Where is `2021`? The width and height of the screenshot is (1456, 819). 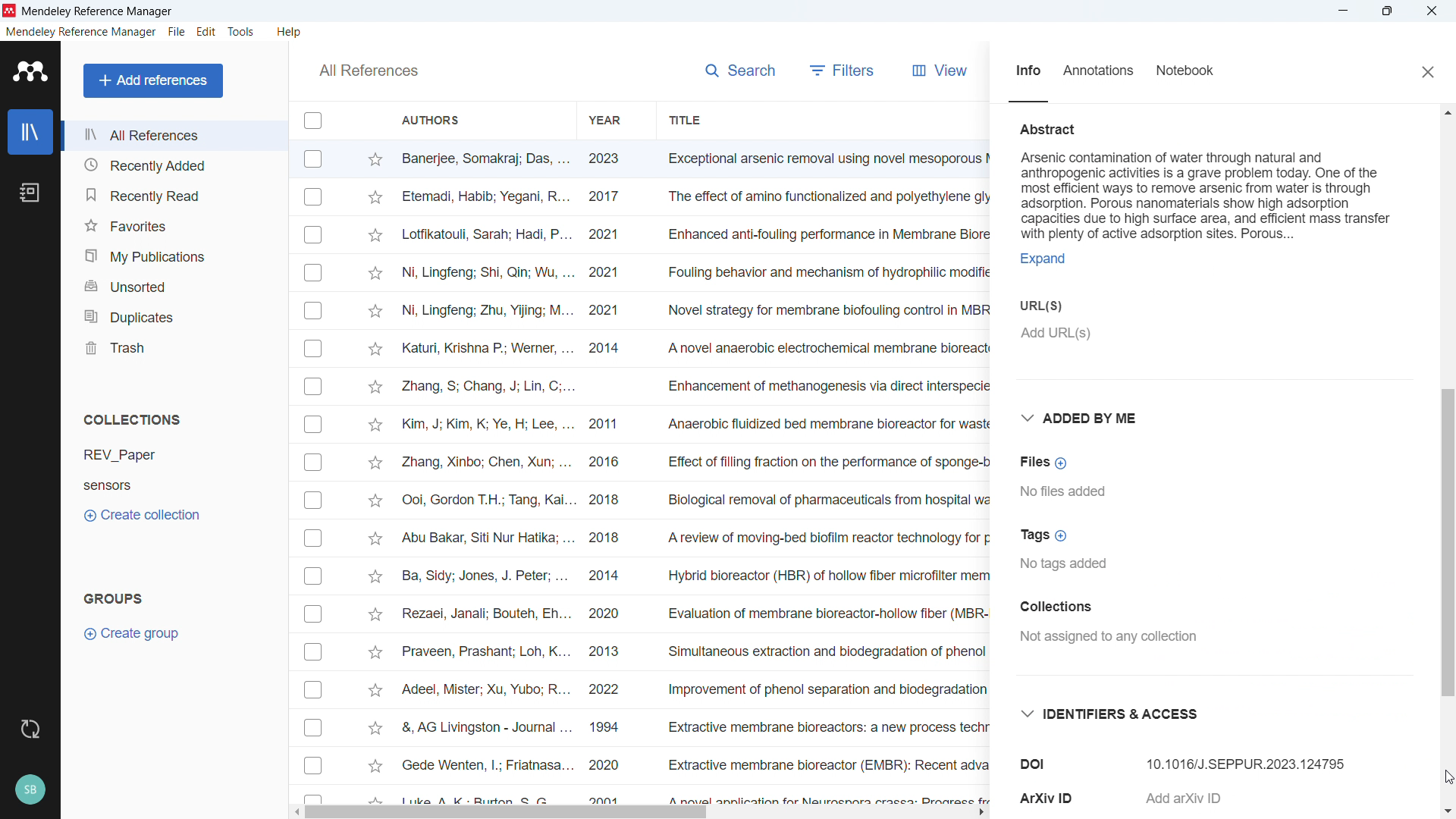 2021 is located at coordinates (607, 309).